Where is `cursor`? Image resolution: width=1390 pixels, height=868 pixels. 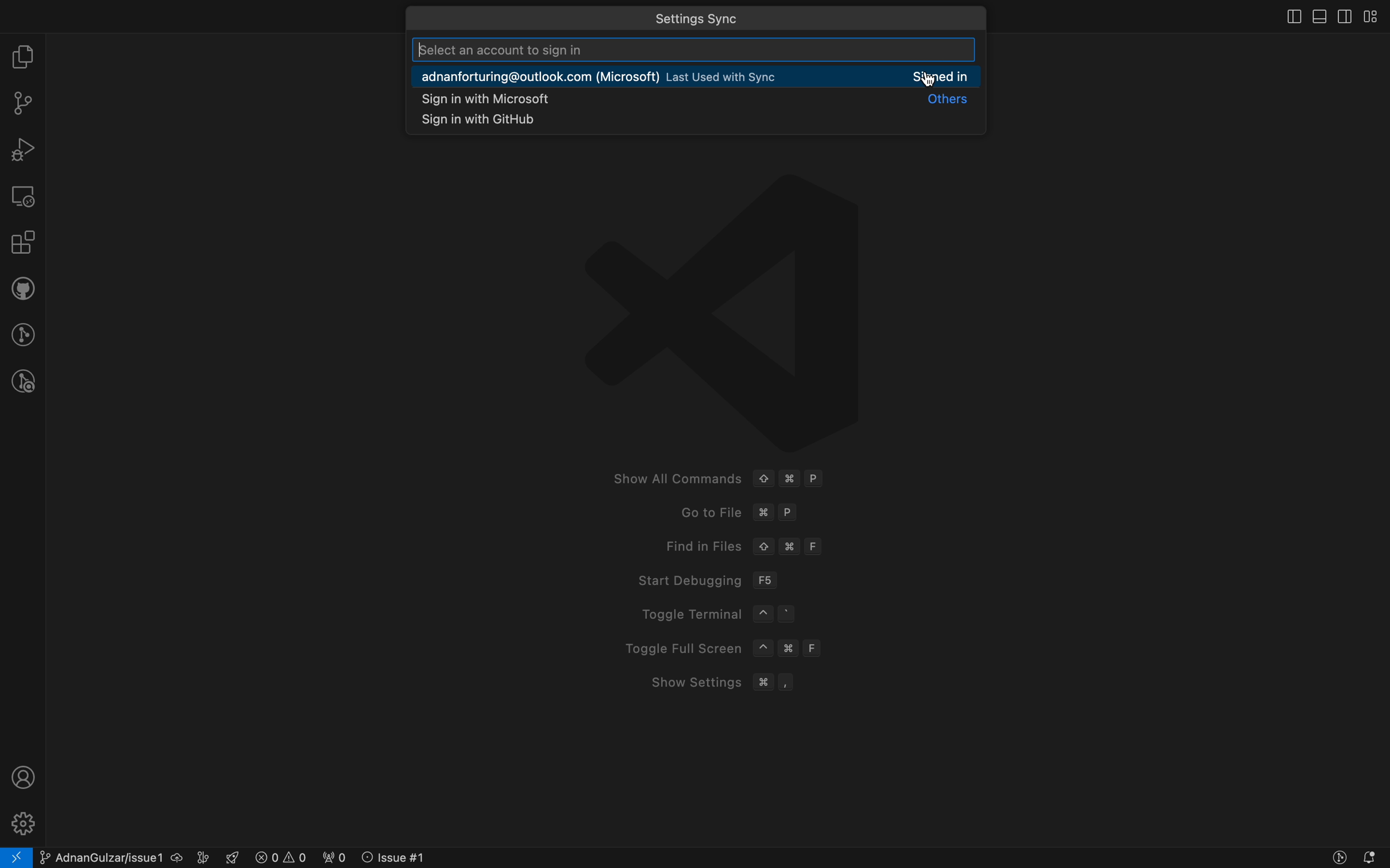 cursor is located at coordinates (928, 82).